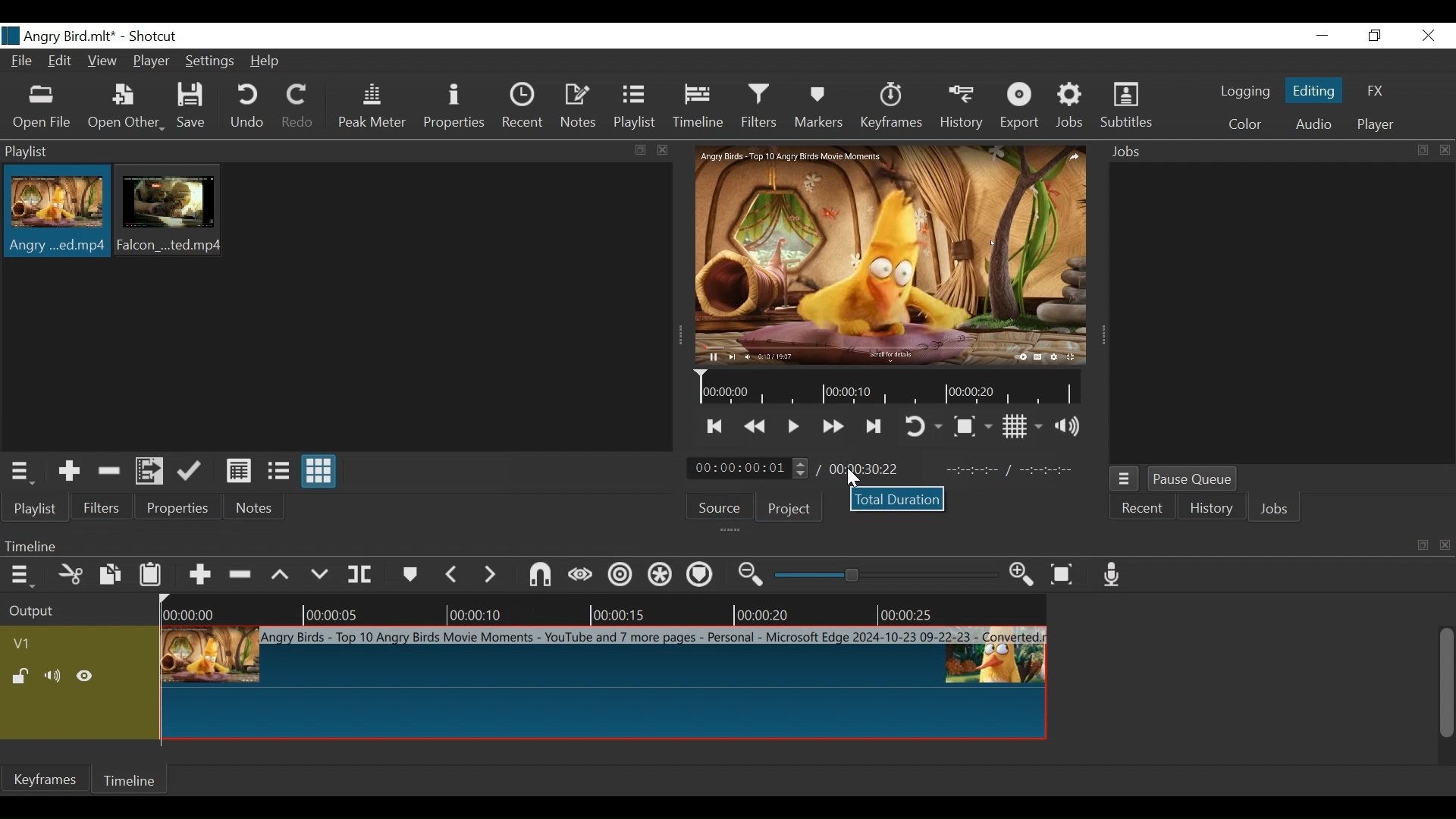  I want to click on Jobs, so click(1278, 152).